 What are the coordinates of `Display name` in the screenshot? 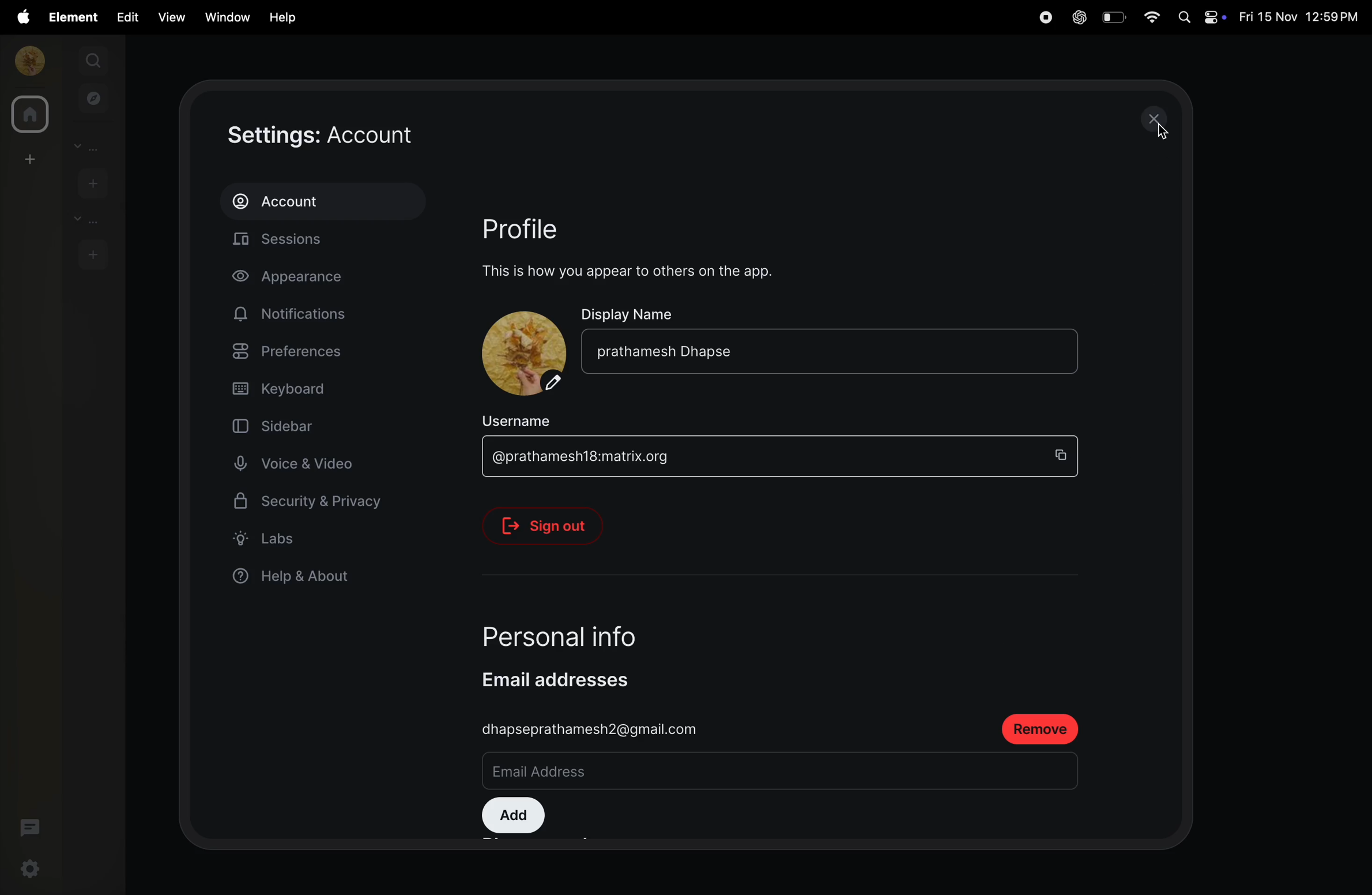 It's located at (630, 313).